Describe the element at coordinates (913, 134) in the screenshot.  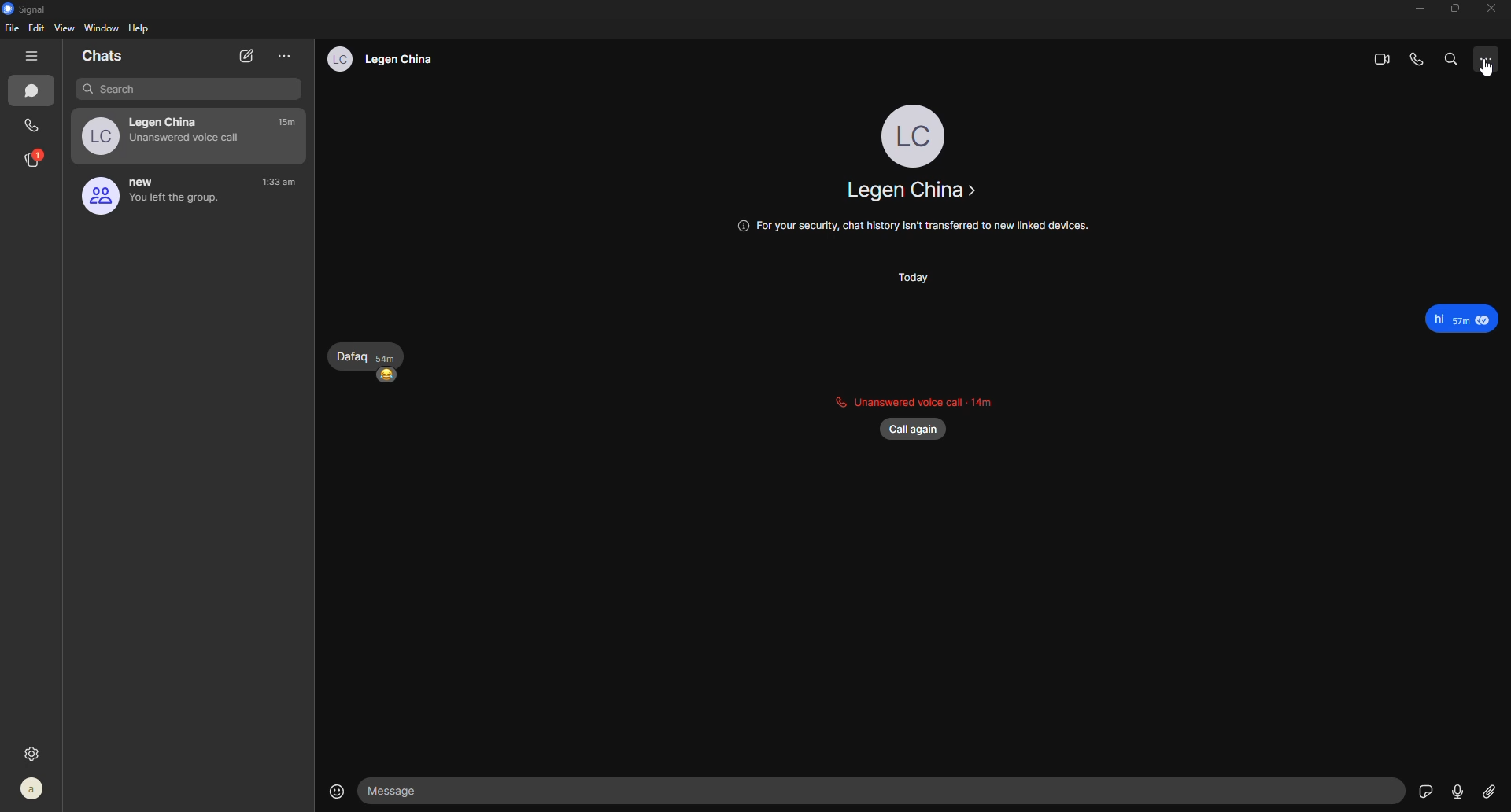
I see `profile pic` at that location.